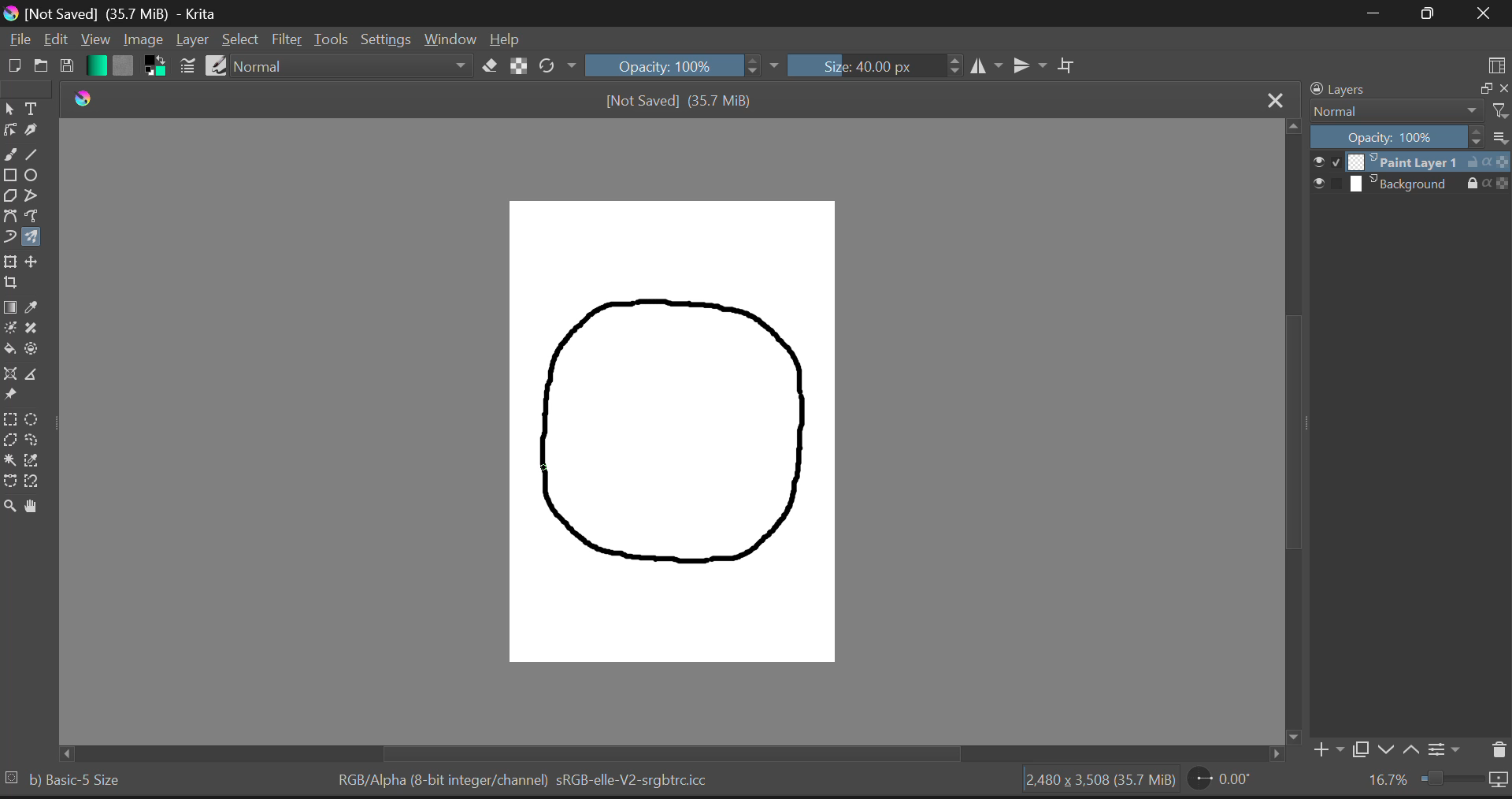 The width and height of the screenshot is (1512, 799). What do you see at coordinates (1069, 65) in the screenshot?
I see `Crop` at bounding box center [1069, 65].